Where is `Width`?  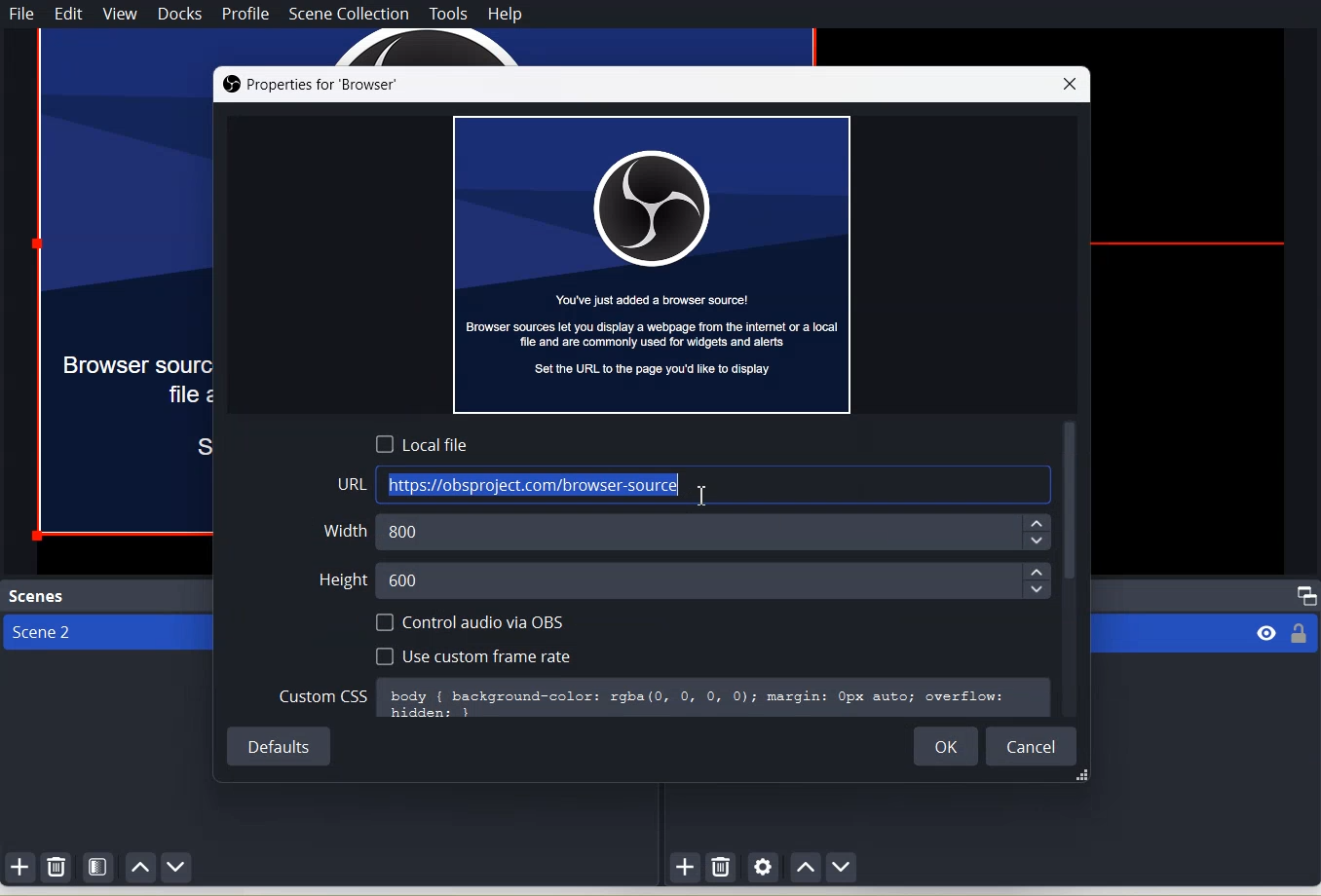 Width is located at coordinates (340, 532).